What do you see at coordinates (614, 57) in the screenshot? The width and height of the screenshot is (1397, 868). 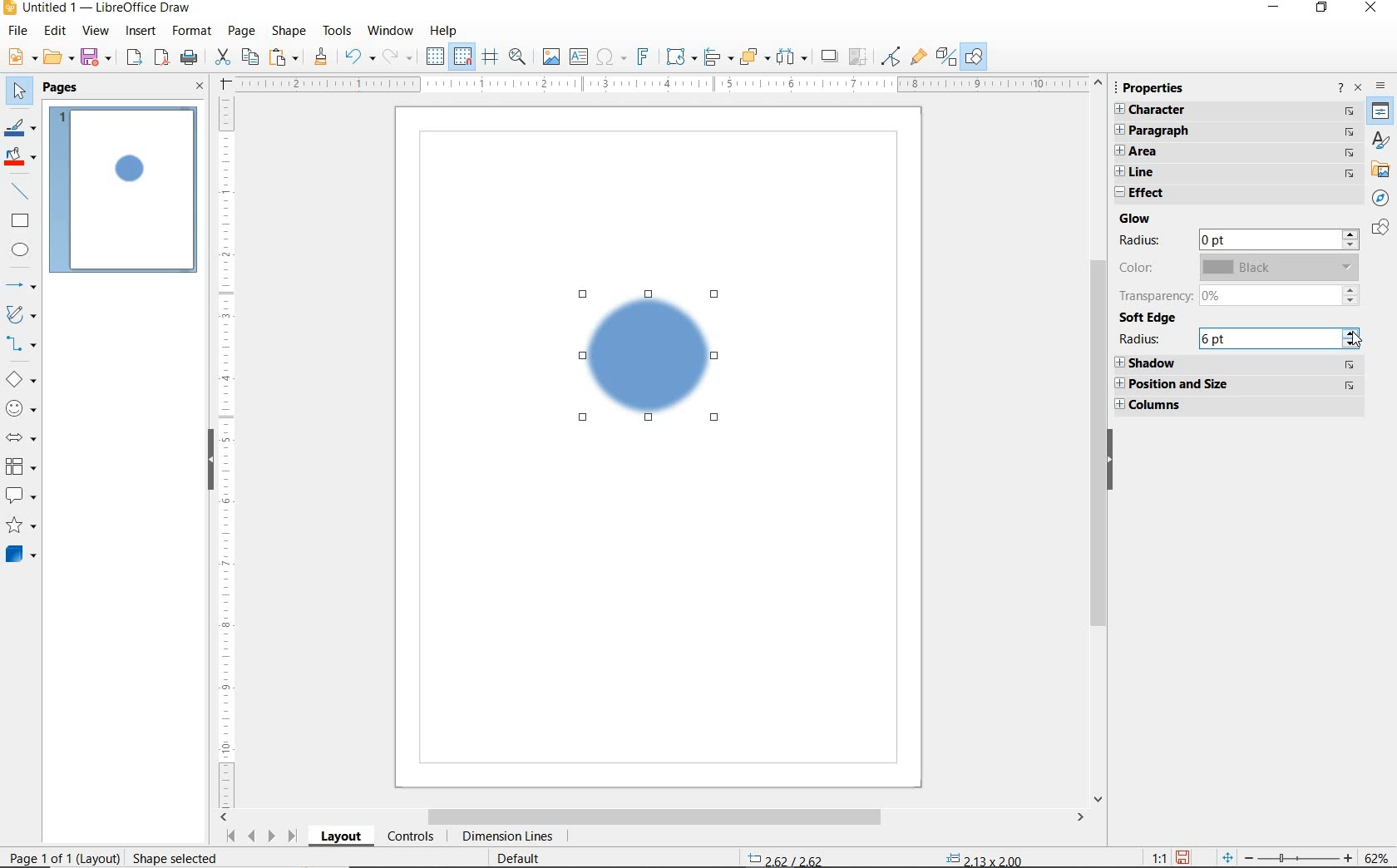 I see `INSERT SPECIAL CHARACTERS` at bounding box center [614, 57].